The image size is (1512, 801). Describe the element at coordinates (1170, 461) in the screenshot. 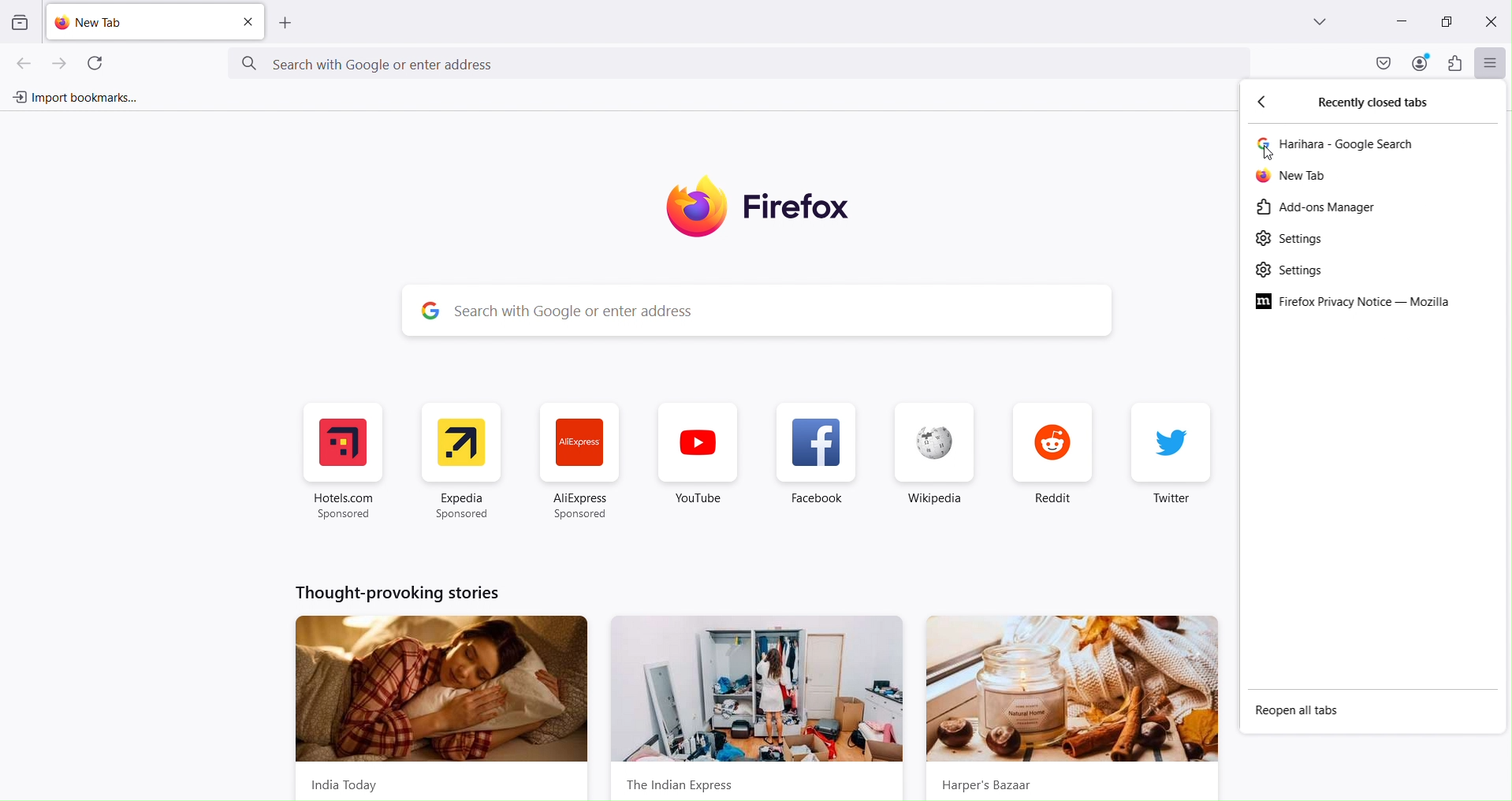

I see `Twitter Shortcut` at that location.